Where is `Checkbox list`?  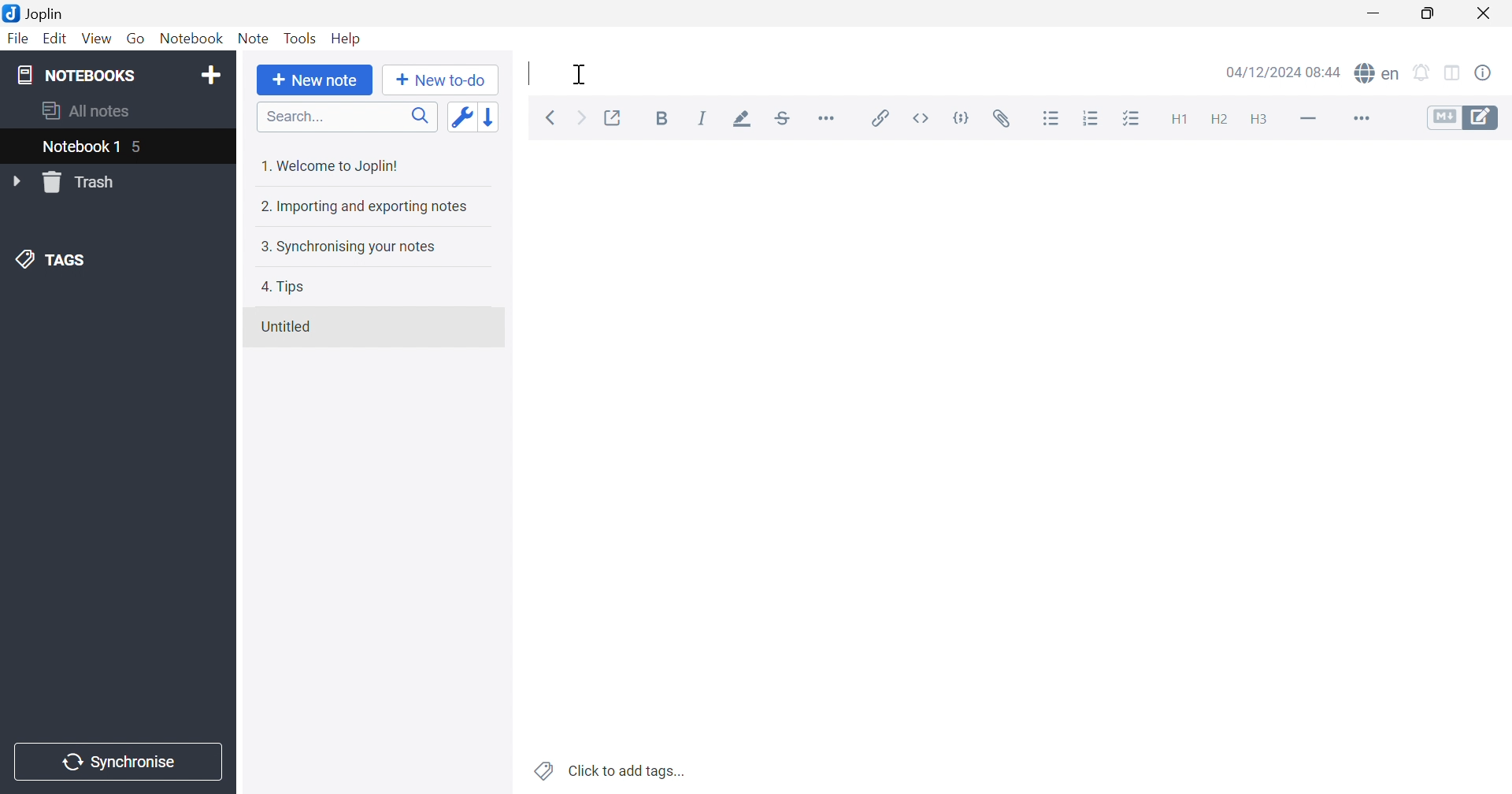 Checkbox list is located at coordinates (1132, 120).